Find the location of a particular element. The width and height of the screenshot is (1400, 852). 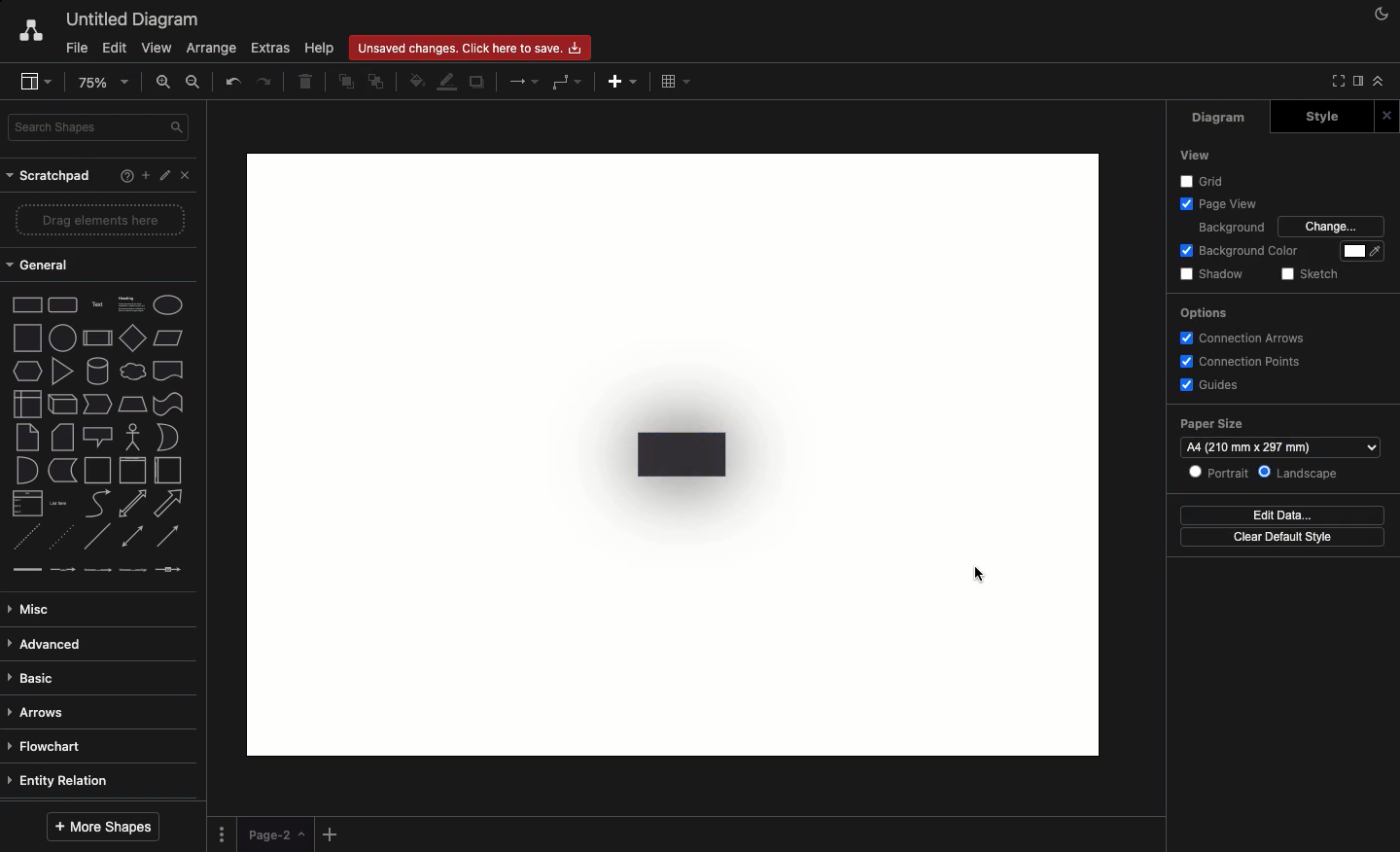

connector with 3 labels is located at coordinates (132, 570).